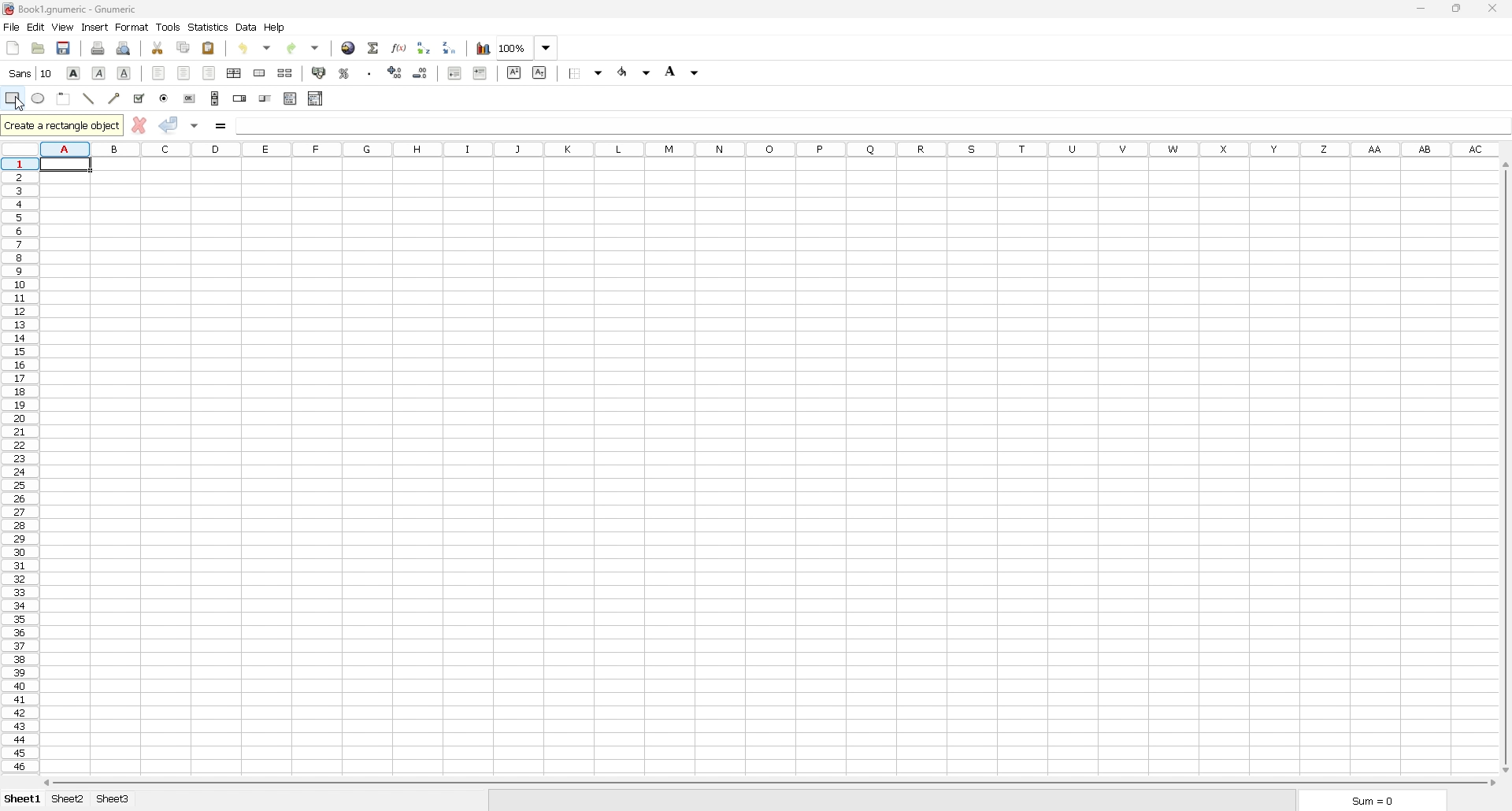 Image resolution: width=1512 pixels, height=811 pixels. What do you see at coordinates (216, 97) in the screenshot?
I see `scroll bar` at bounding box center [216, 97].